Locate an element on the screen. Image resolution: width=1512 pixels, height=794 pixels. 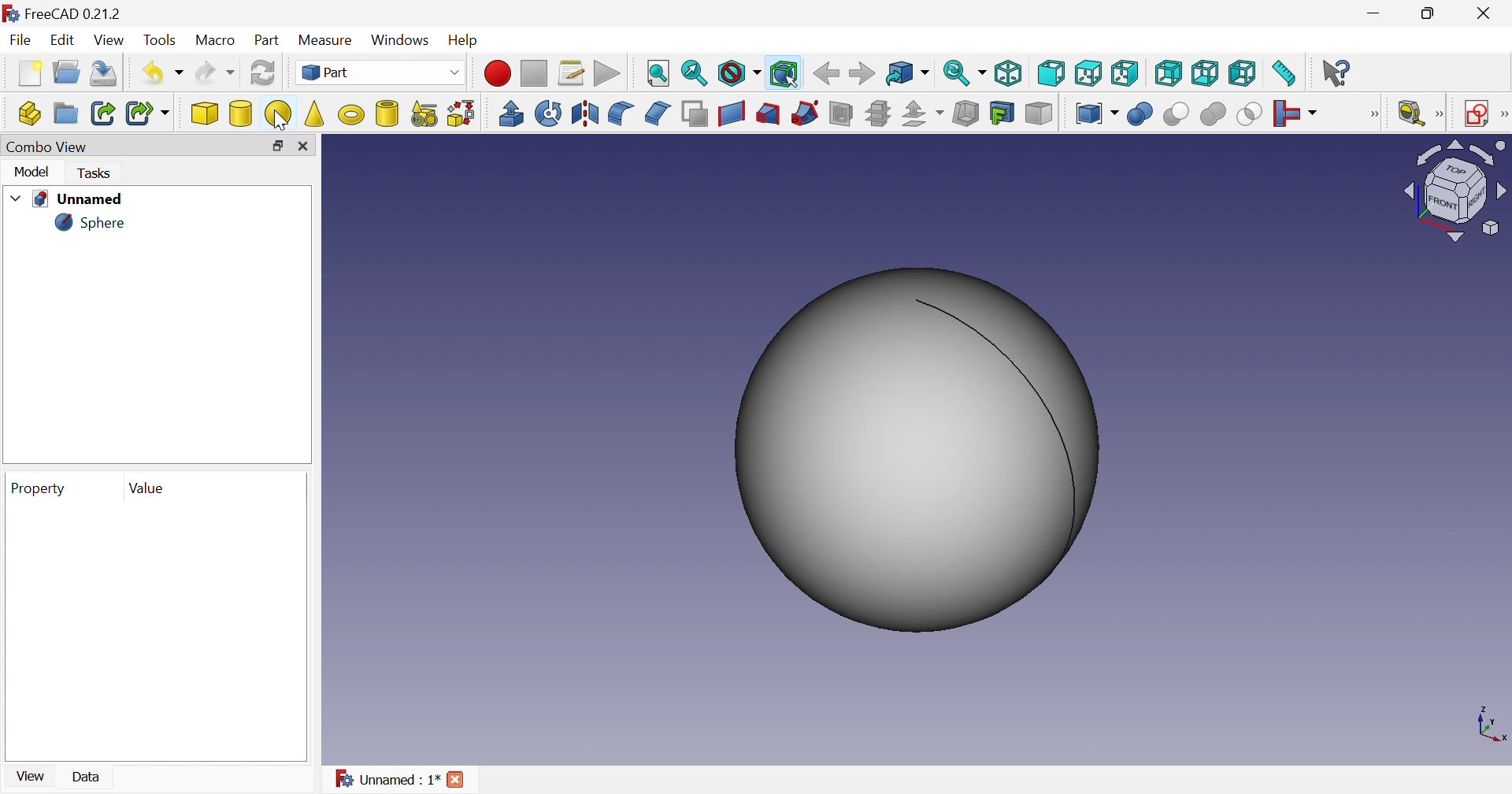
Make link is located at coordinates (103, 114).